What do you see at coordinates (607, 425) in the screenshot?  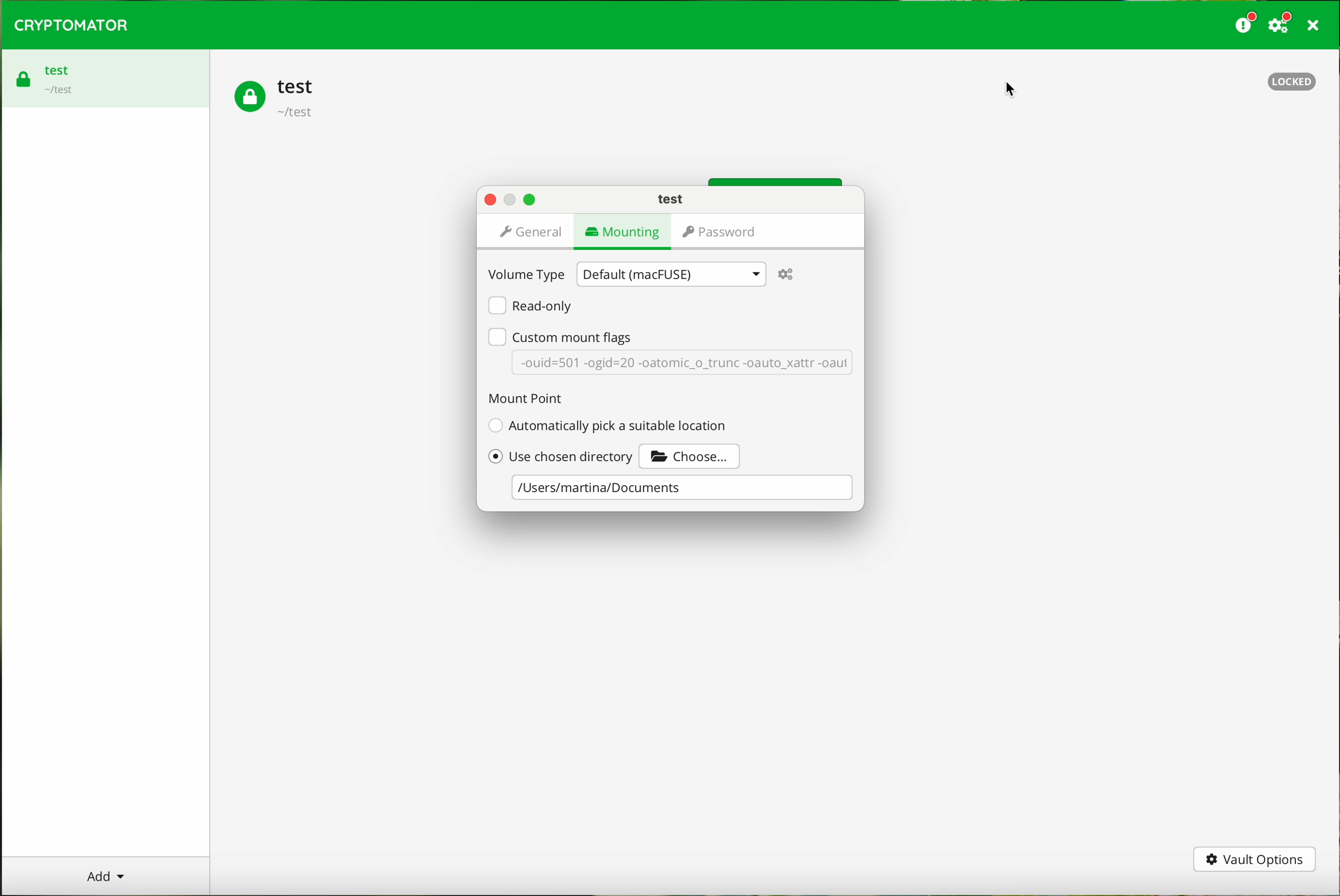 I see `automatically pick a suitable location` at bounding box center [607, 425].